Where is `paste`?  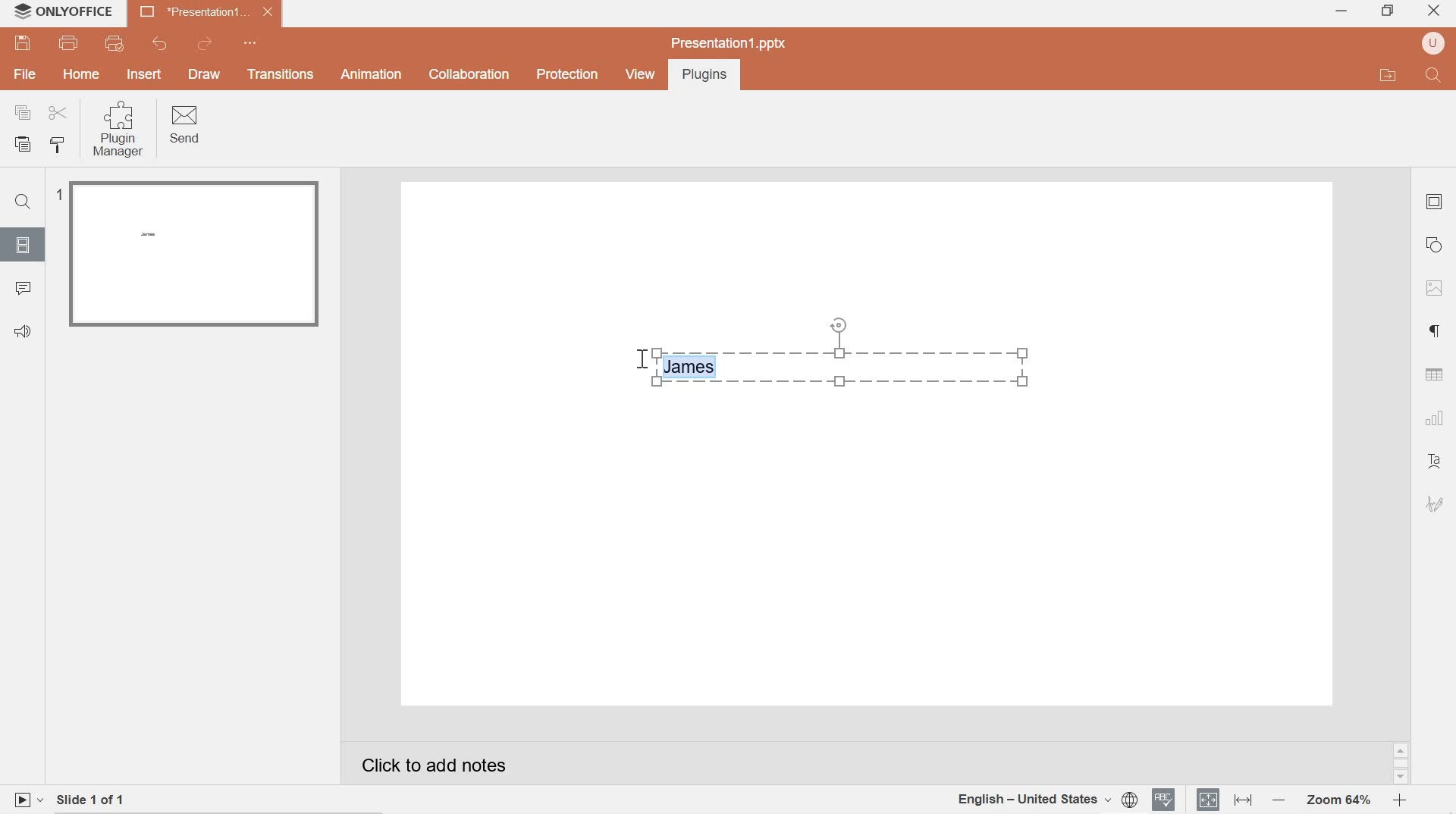 paste is located at coordinates (26, 145).